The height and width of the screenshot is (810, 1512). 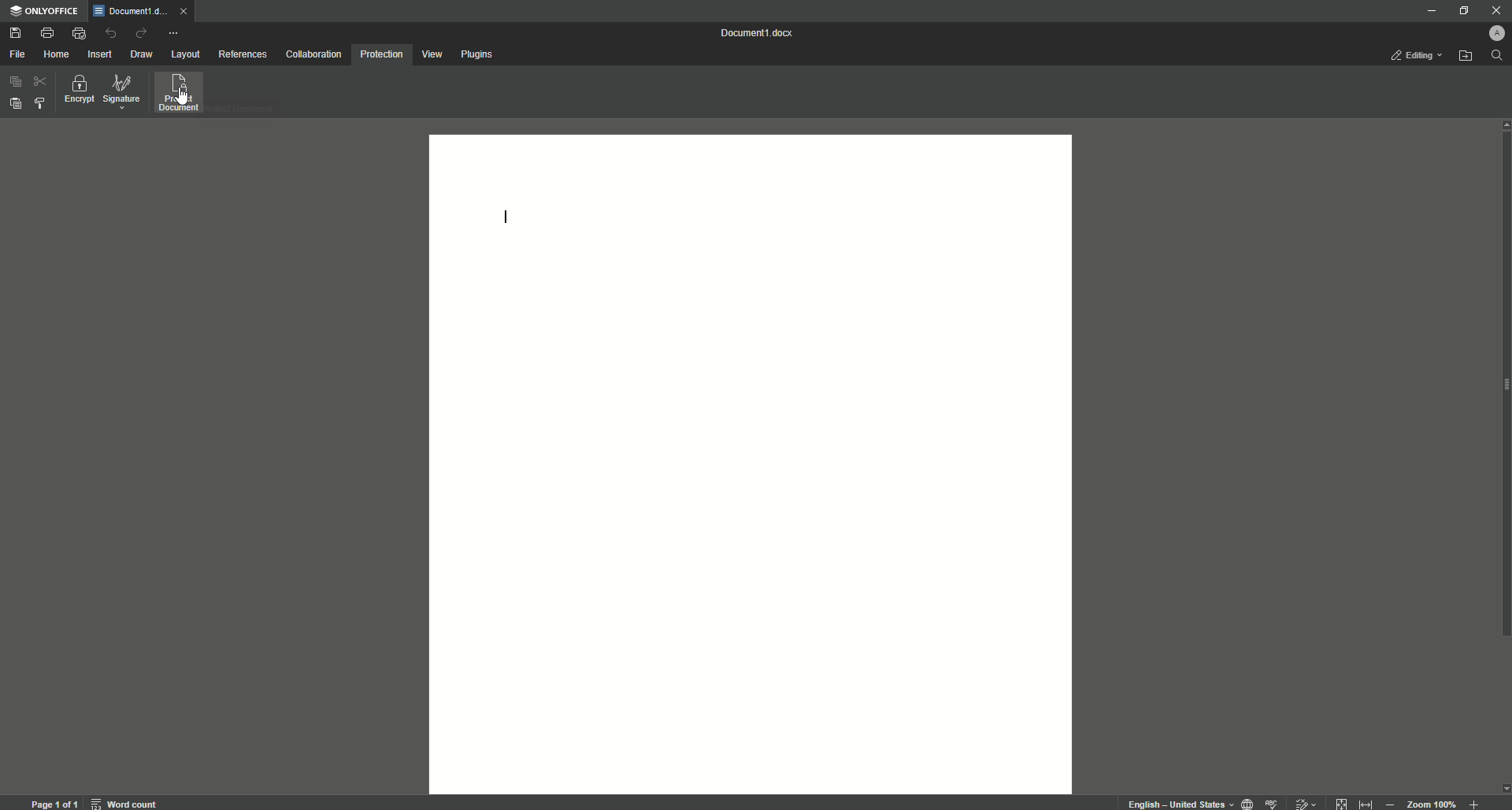 I want to click on Undo, so click(x=111, y=34).